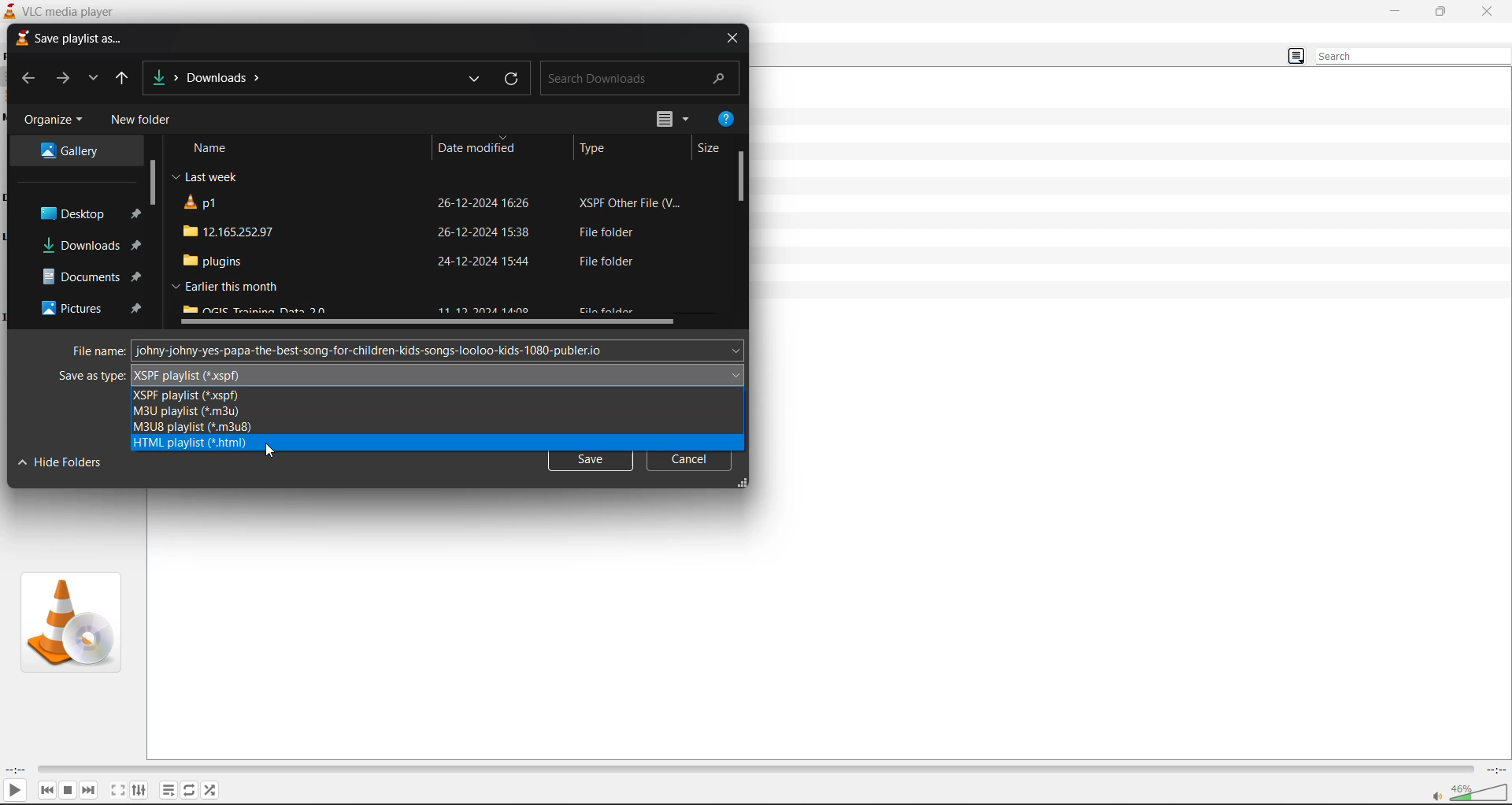 The width and height of the screenshot is (1512, 805). Describe the element at coordinates (17, 789) in the screenshot. I see `play` at that location.